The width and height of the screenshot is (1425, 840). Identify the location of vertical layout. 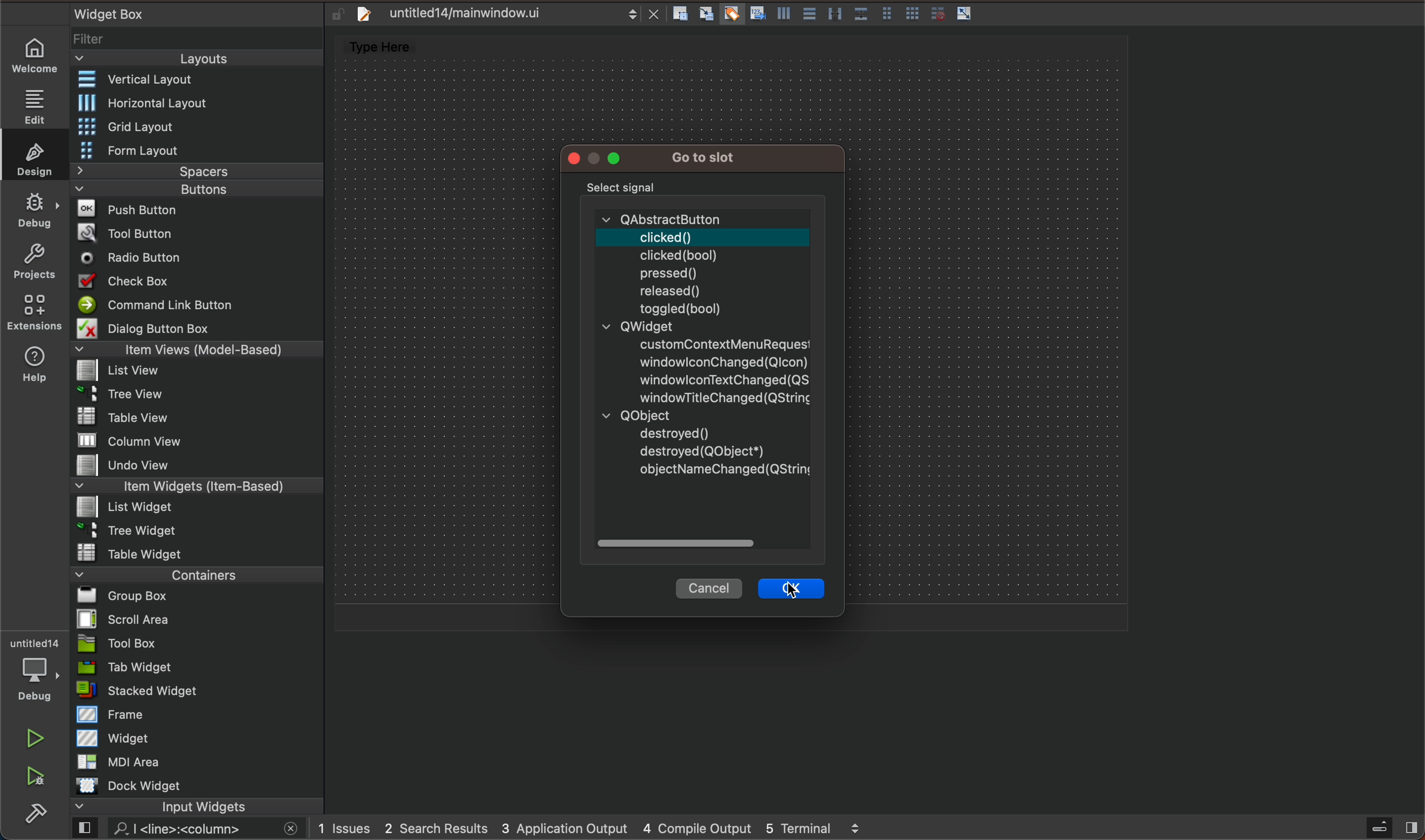
(198, 82).